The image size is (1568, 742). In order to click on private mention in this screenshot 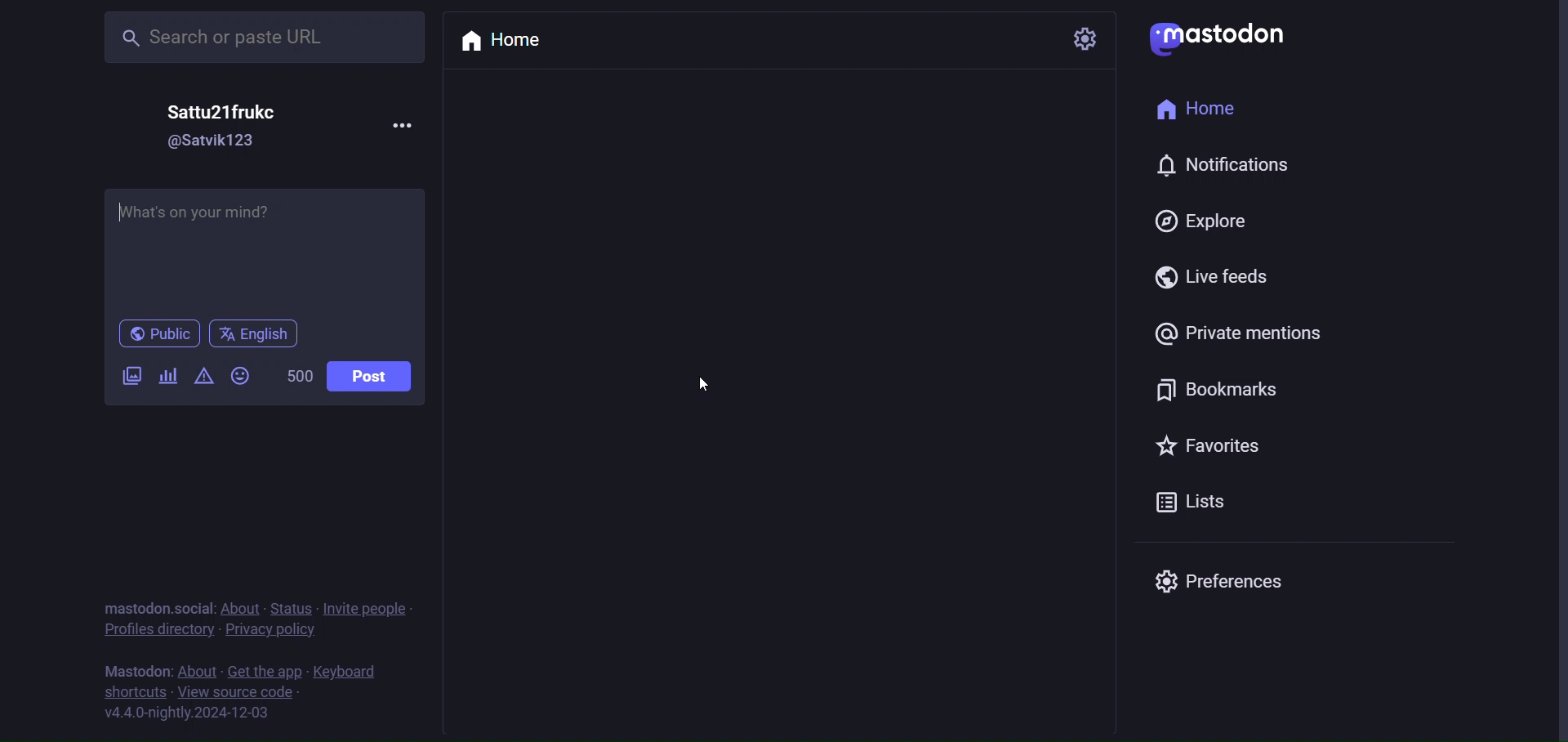, I will do `click(1234, 332)`.